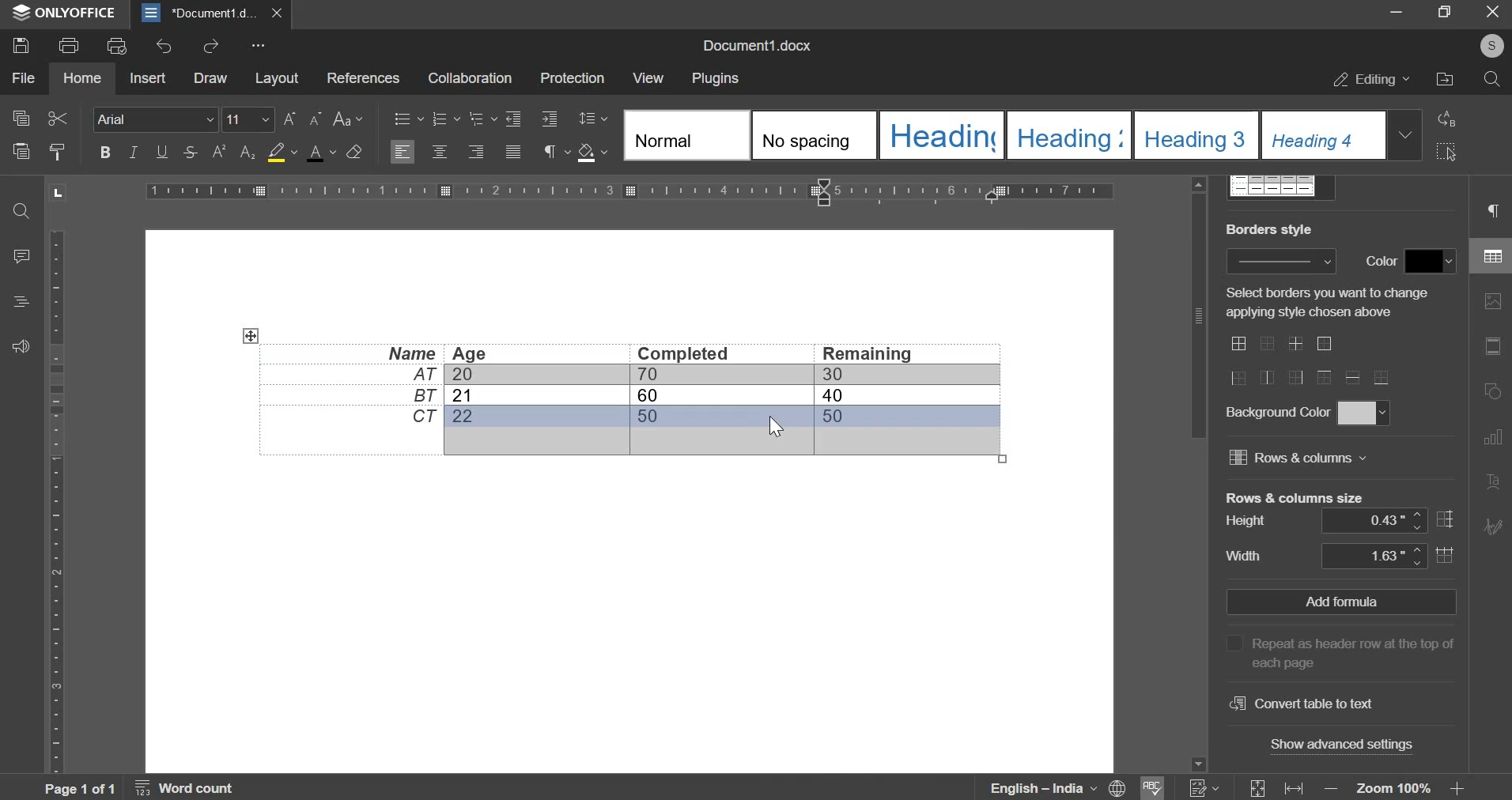 This screenshot has height=800, width=1512. Describe the element at coordinates (629, 191) in the screenshot. I see `horizontal scale` at that location.